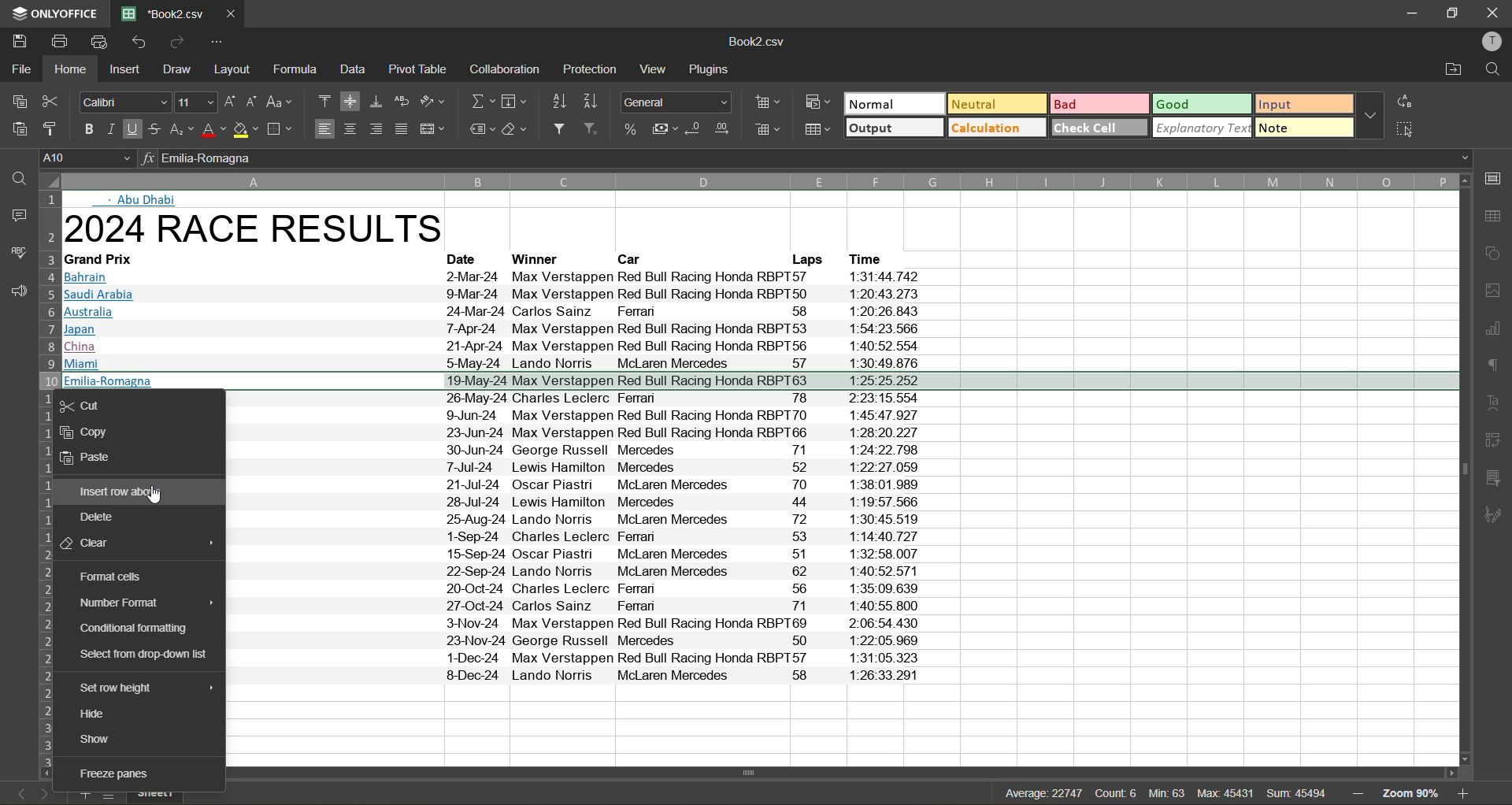  What do you see at coordinates (666, 131) in the screenshot?
I see `accounting` at bounding box center [666, 131].